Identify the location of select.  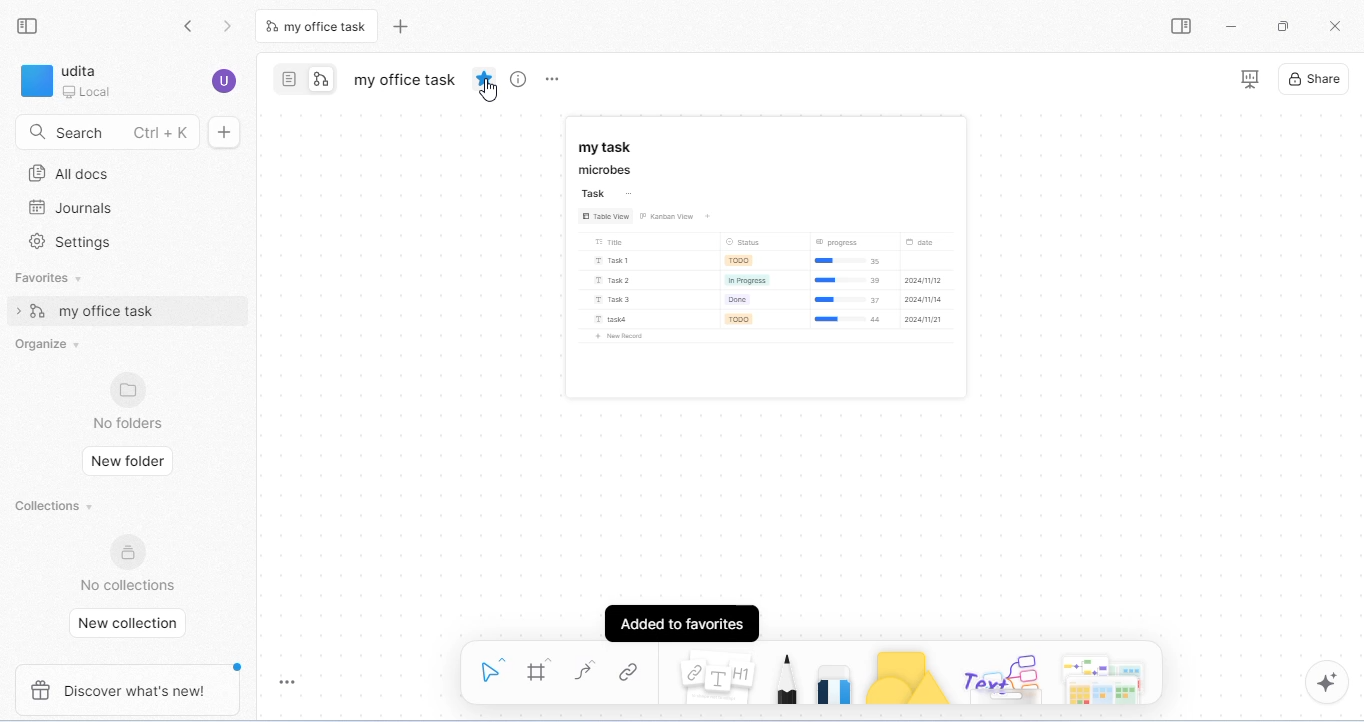
(489, 668).